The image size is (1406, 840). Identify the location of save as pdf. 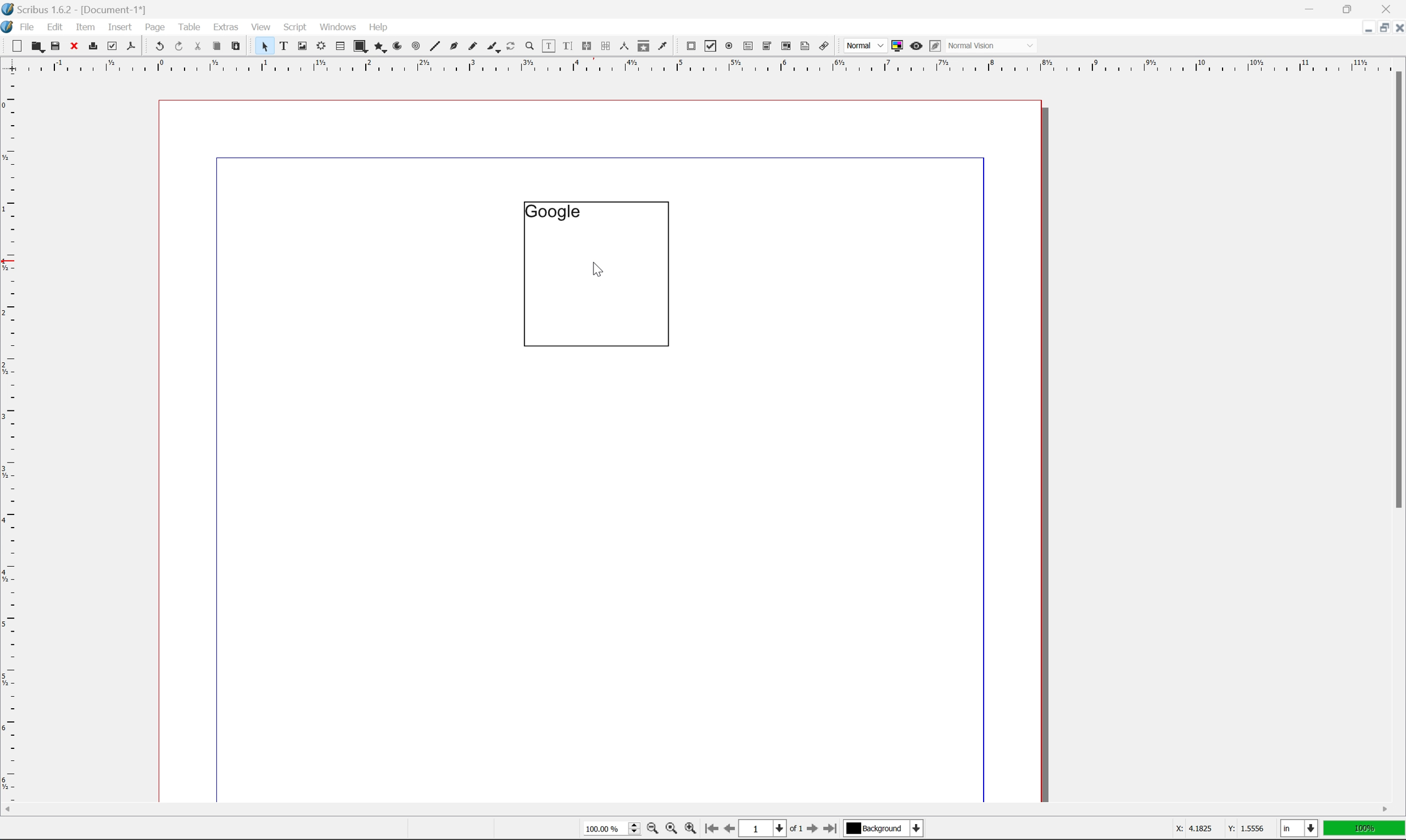
(132, 46).